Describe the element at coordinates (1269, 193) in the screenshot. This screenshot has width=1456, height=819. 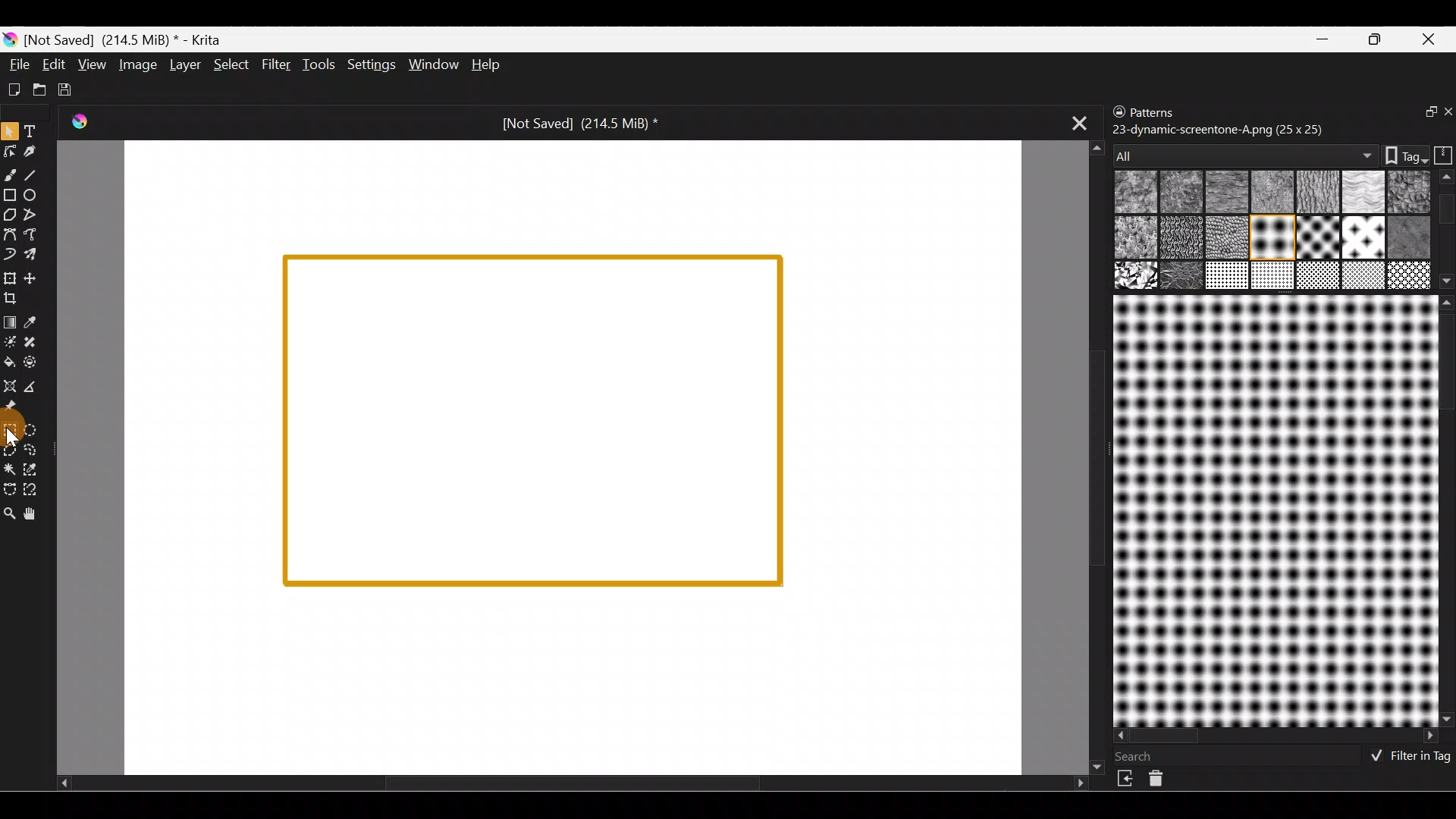
I see `03 default-paper.png` at that location.